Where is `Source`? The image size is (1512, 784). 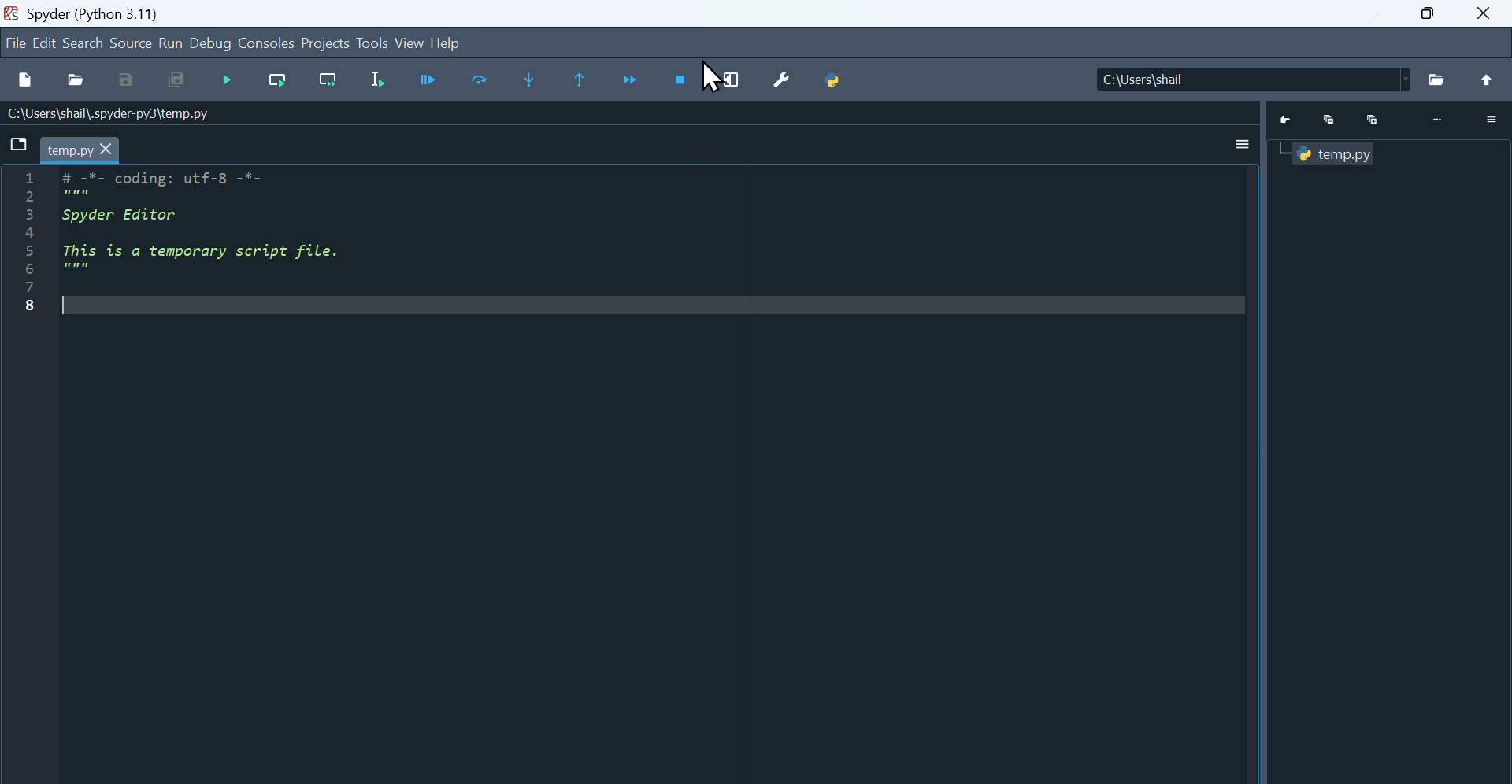 Source is located at coordinates (132, 43).